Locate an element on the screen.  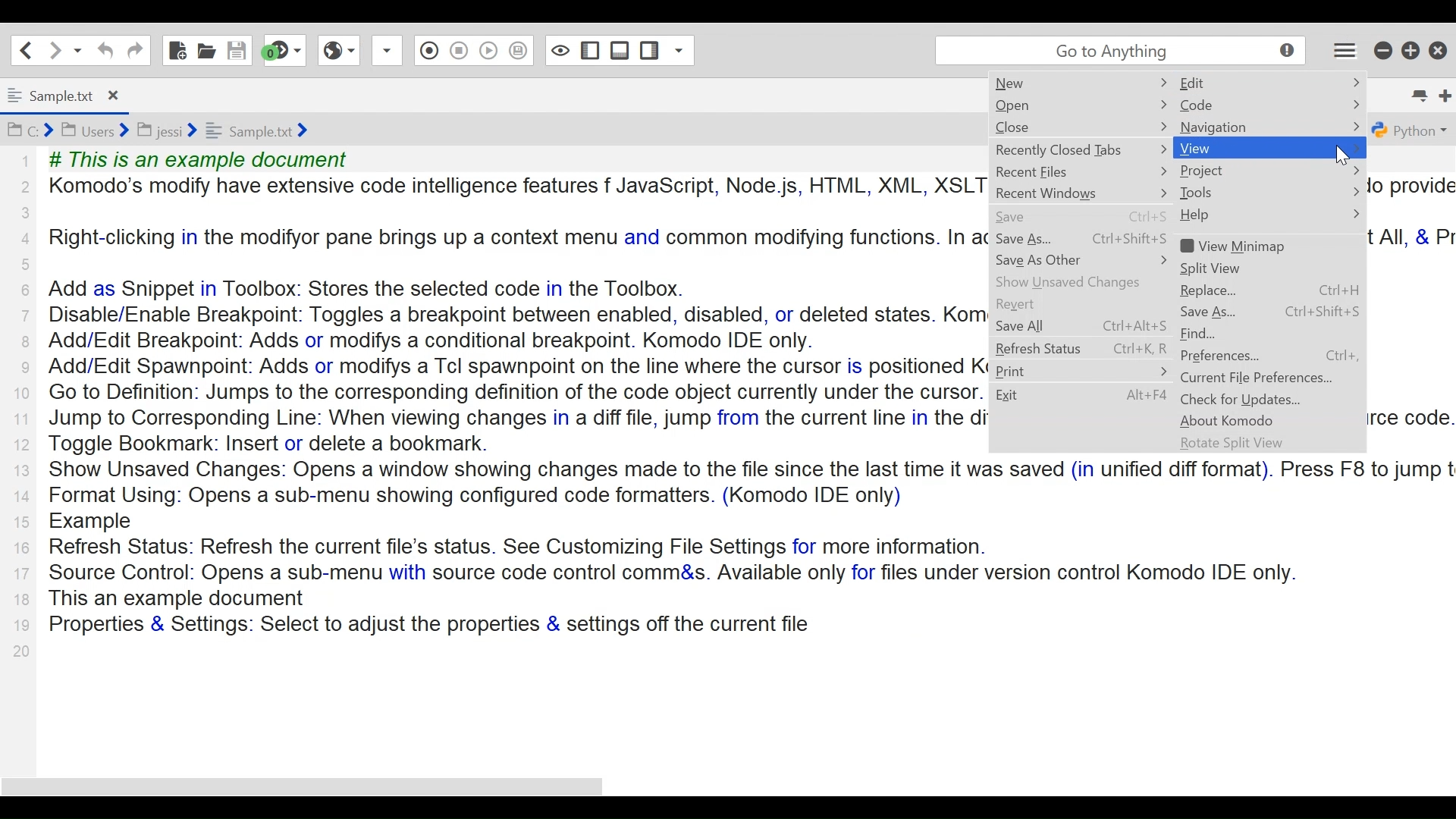
Jump to the next syntax checking result is located at coordinates (286, 50).